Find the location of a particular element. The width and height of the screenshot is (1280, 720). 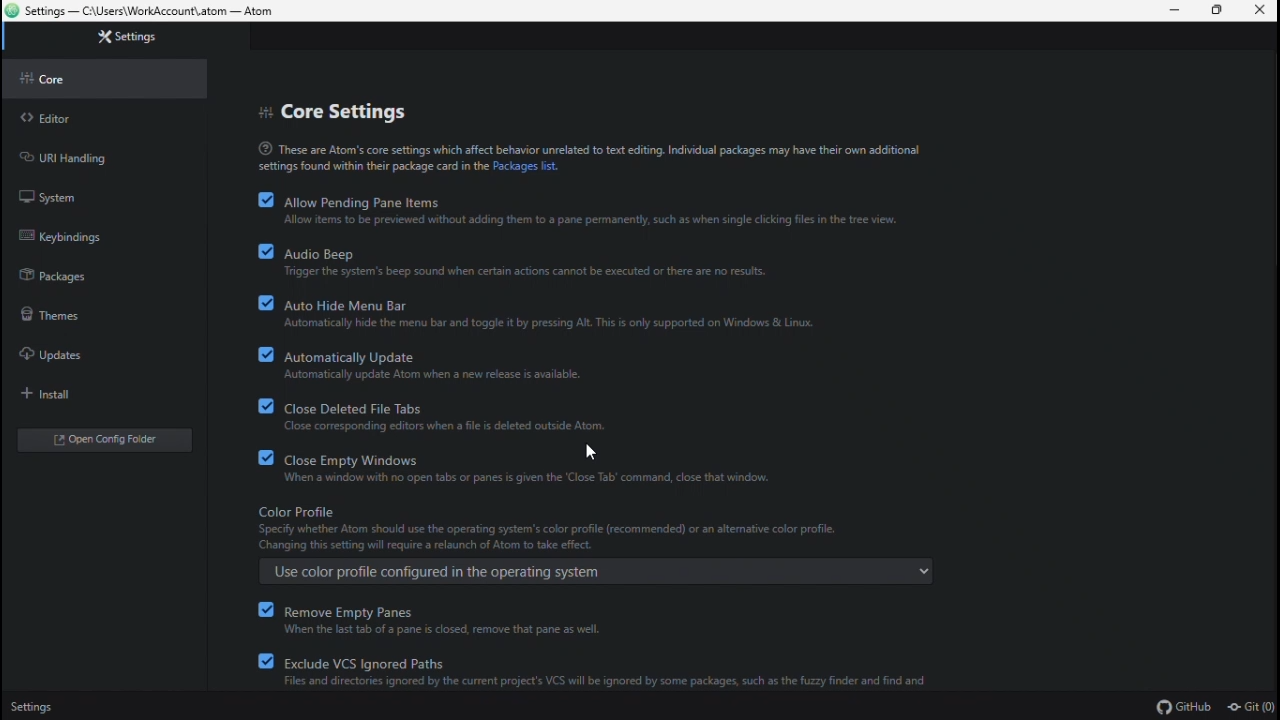

Editor is located at coordinates (95, 115).